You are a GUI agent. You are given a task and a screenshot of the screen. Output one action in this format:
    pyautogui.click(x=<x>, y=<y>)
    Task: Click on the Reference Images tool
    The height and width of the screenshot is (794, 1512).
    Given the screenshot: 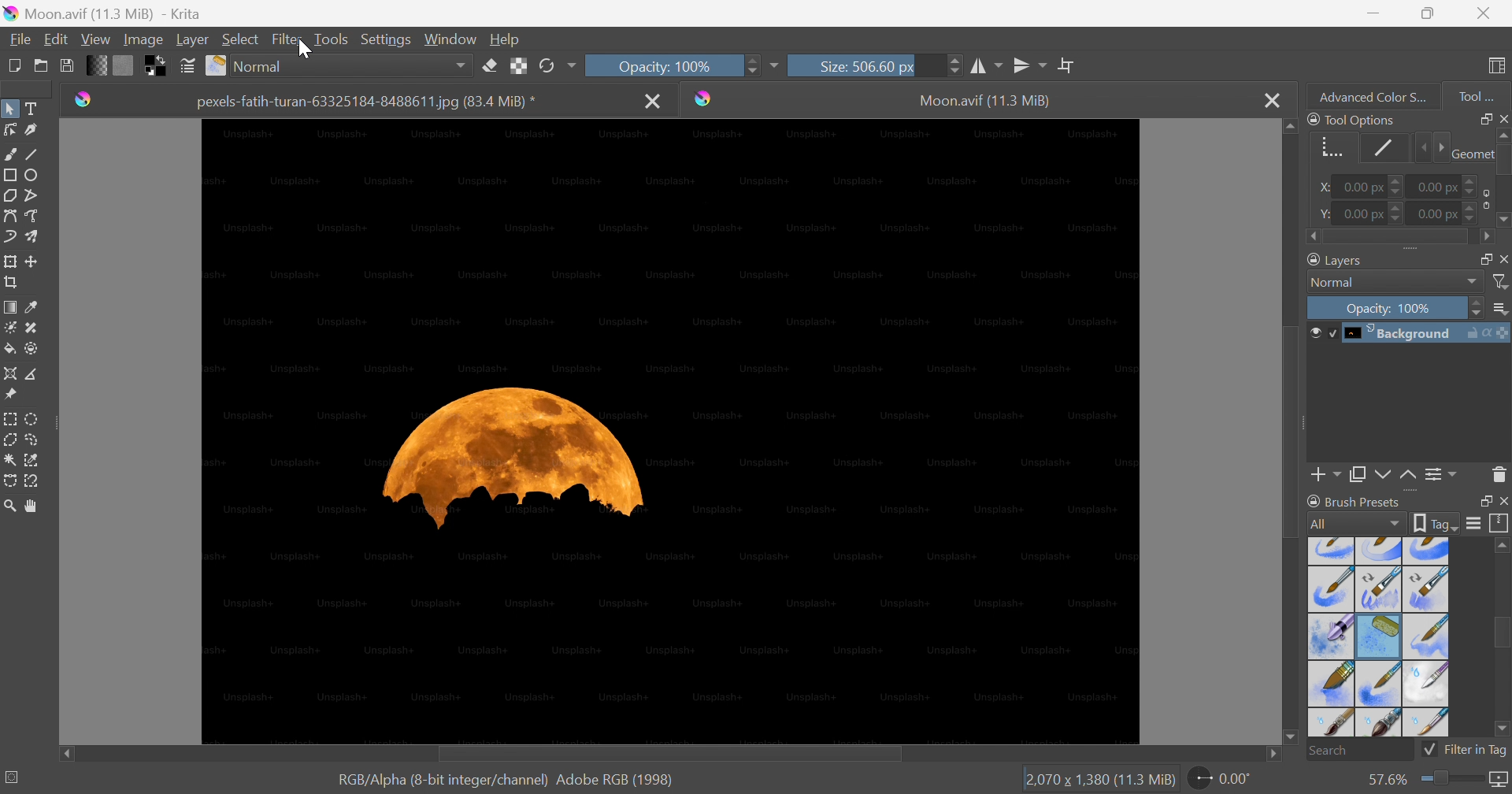 What is the action you would take?
    pyautogui.click(x=13, y=393)
    